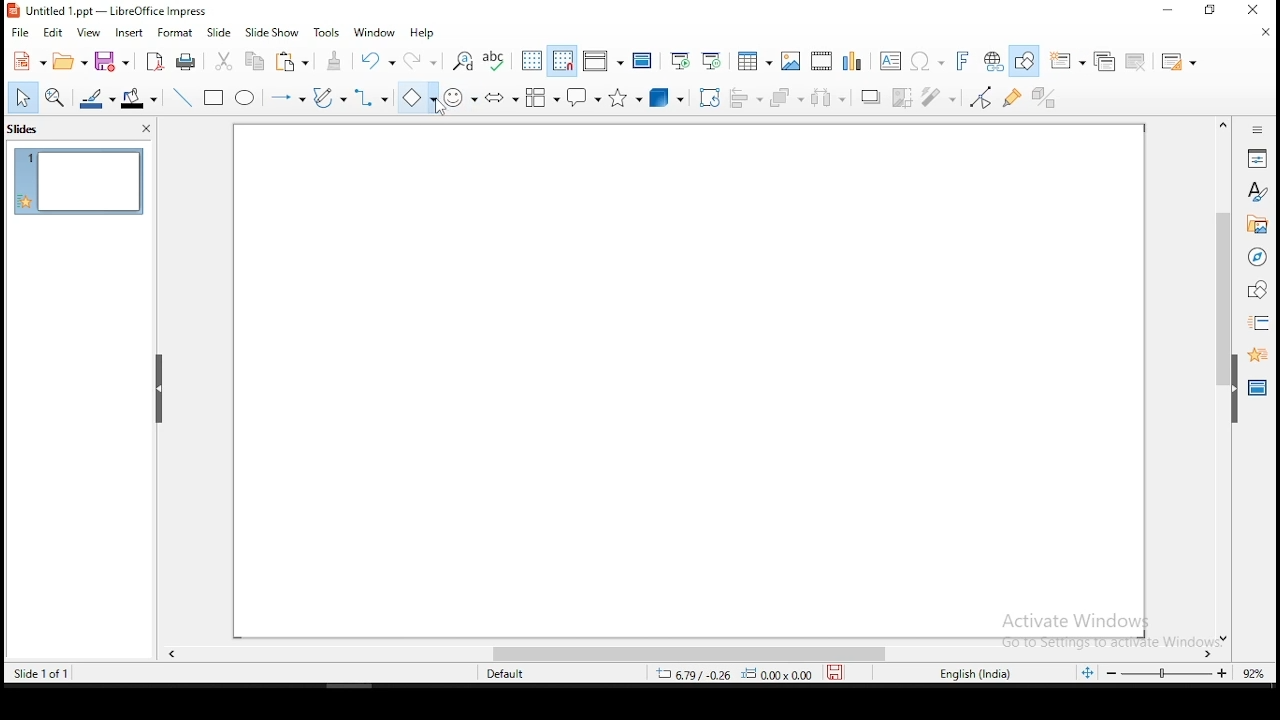 Image resolution: width=1280 pixels, height=720 pixels. Describe the element at coordinates (371, 98) in the screenshot. I see `connectors` at that location.